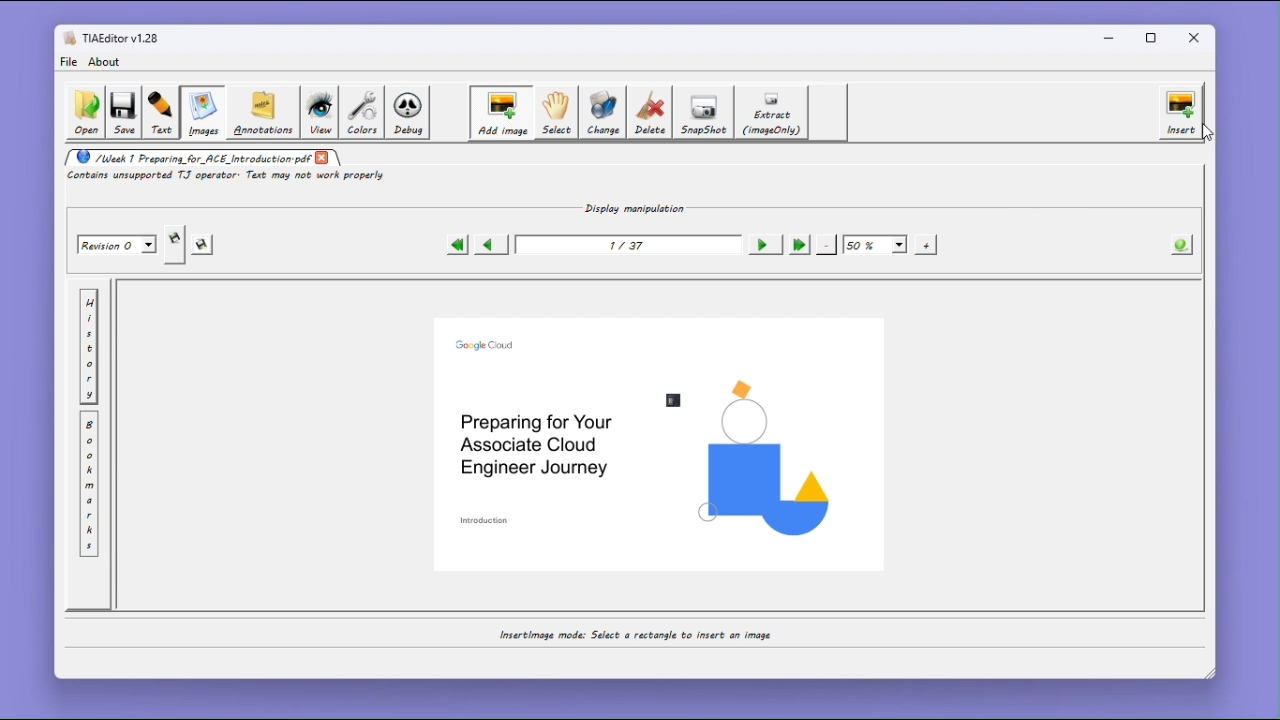 This screenshot has height=720, width=1280. I want to click on image file, so click(676, 400).